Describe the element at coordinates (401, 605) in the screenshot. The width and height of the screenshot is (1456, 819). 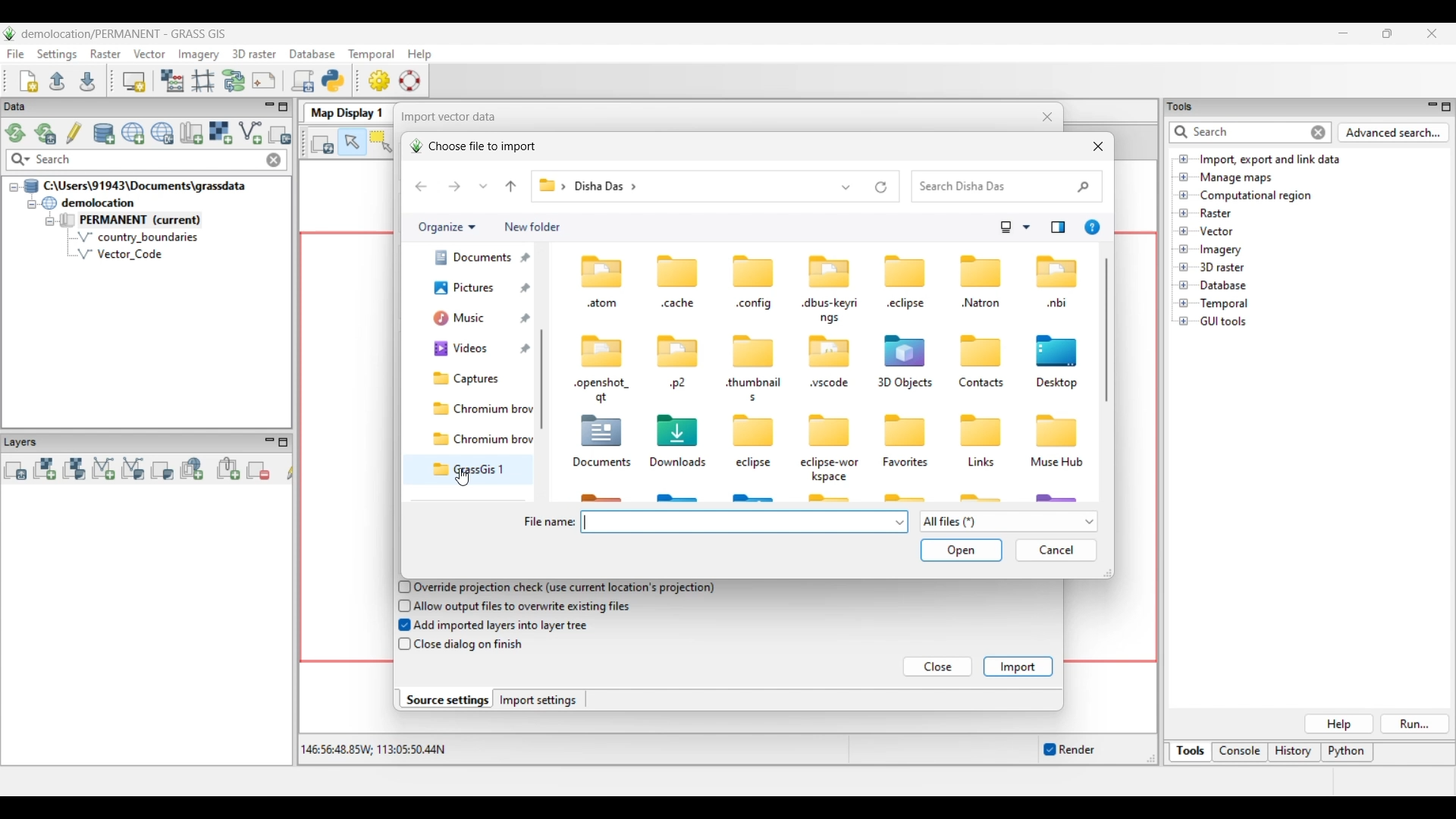
I see `checkbox` at that location.